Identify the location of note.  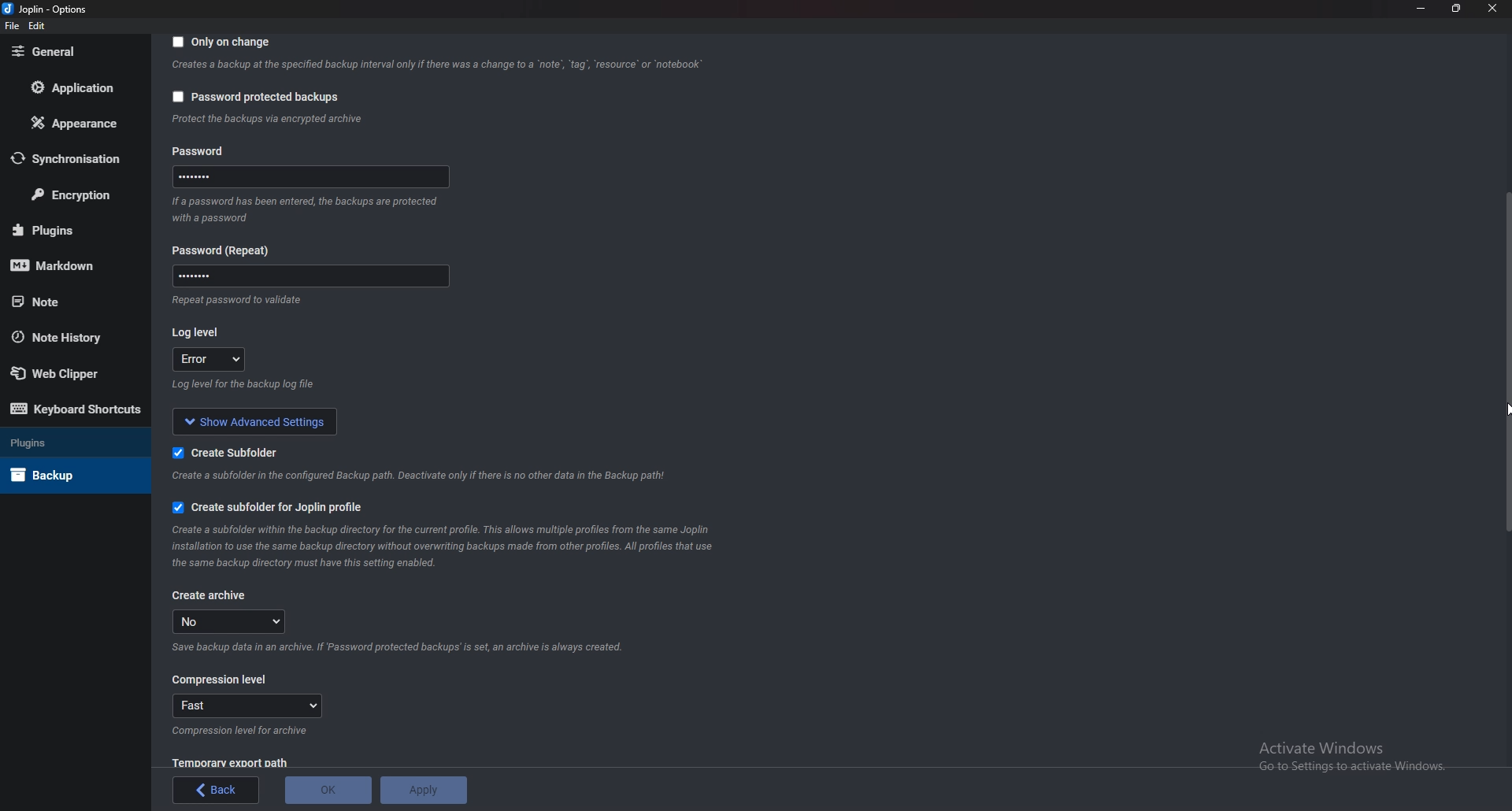
(69, 302).